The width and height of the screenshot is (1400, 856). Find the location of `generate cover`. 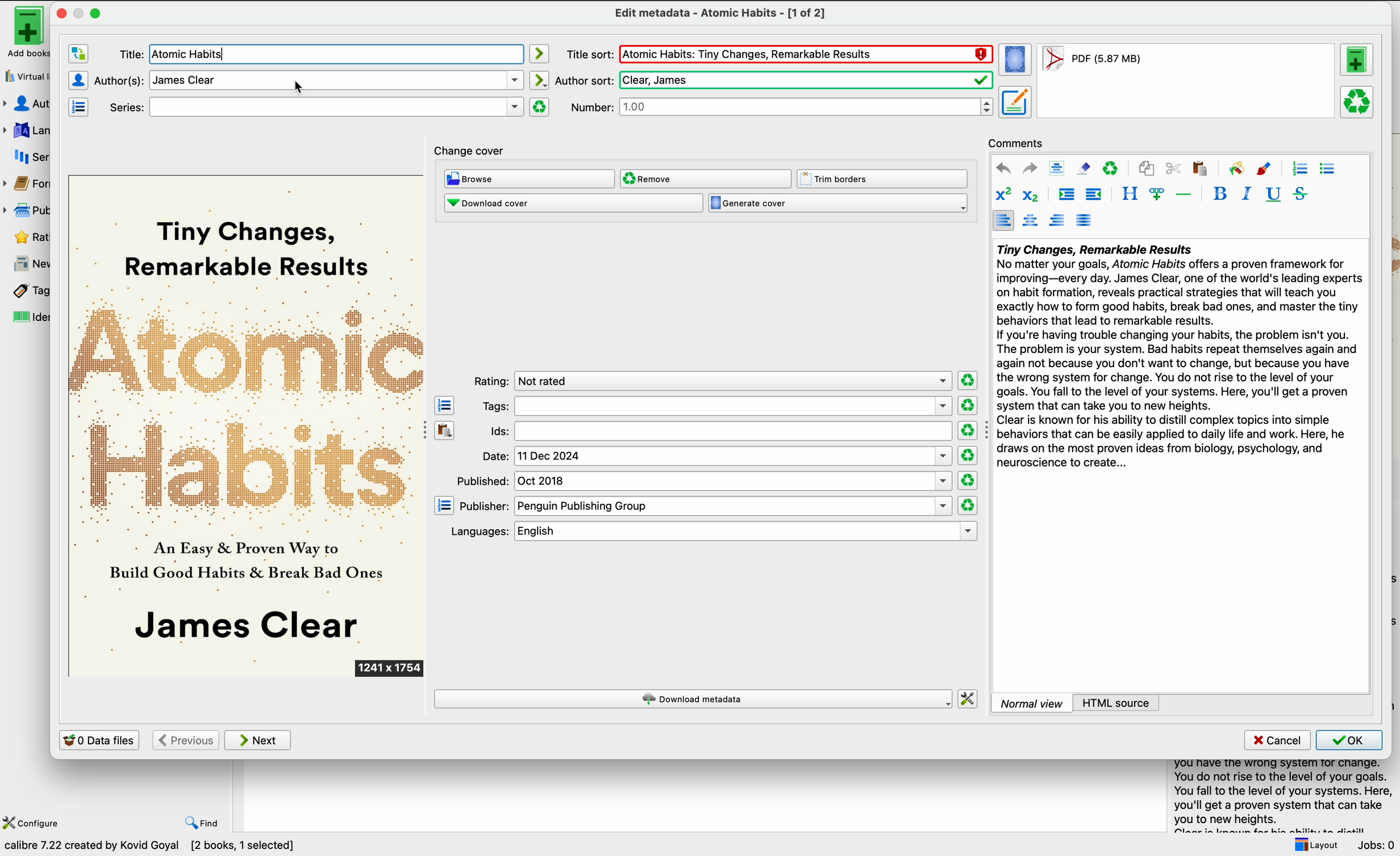

generate cover is located at coordinates (838, 203).